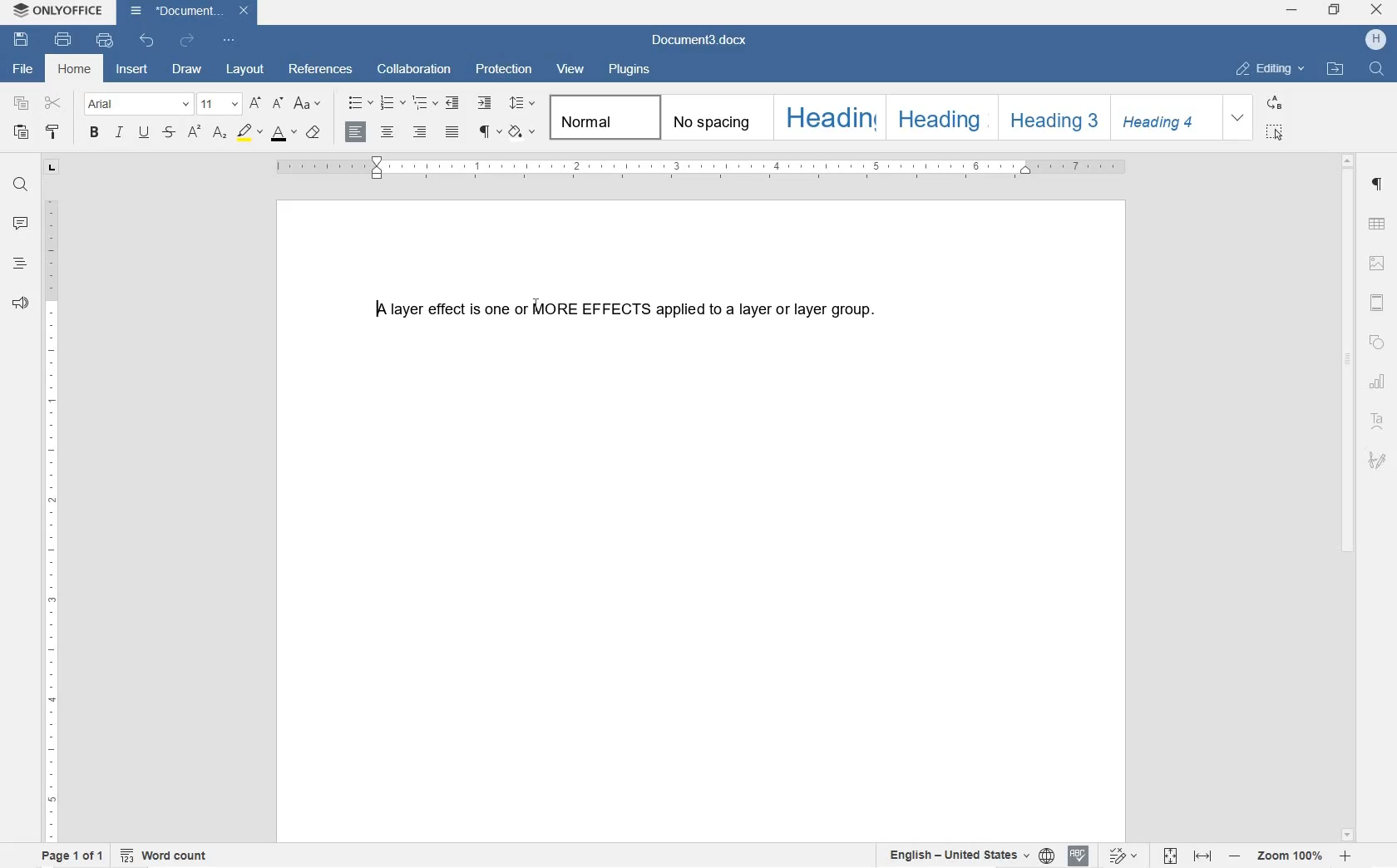 The width and height of the screenshot is (1397, 868). Describe the element at coordinates (25, 69) in the screenshot. I see `FILE` at that location.